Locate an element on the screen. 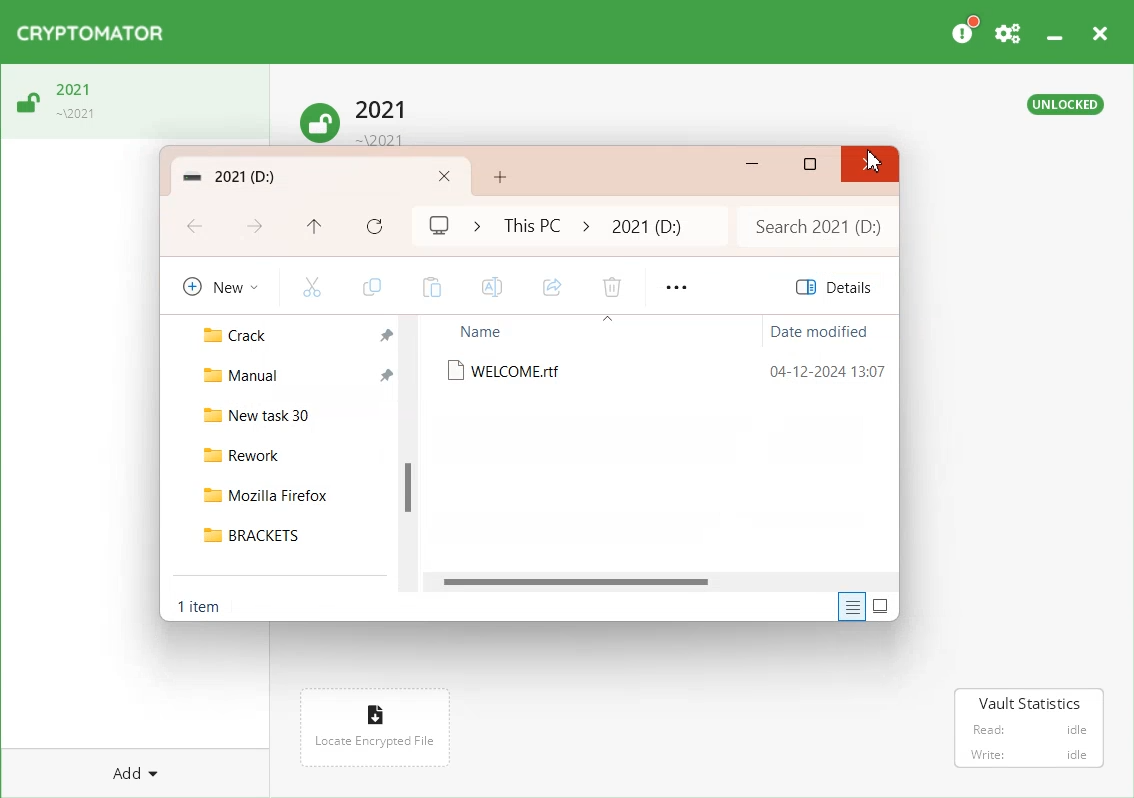 The height and width of the screenshot is (798, 1134). Add is located at coordinates (135, 772).